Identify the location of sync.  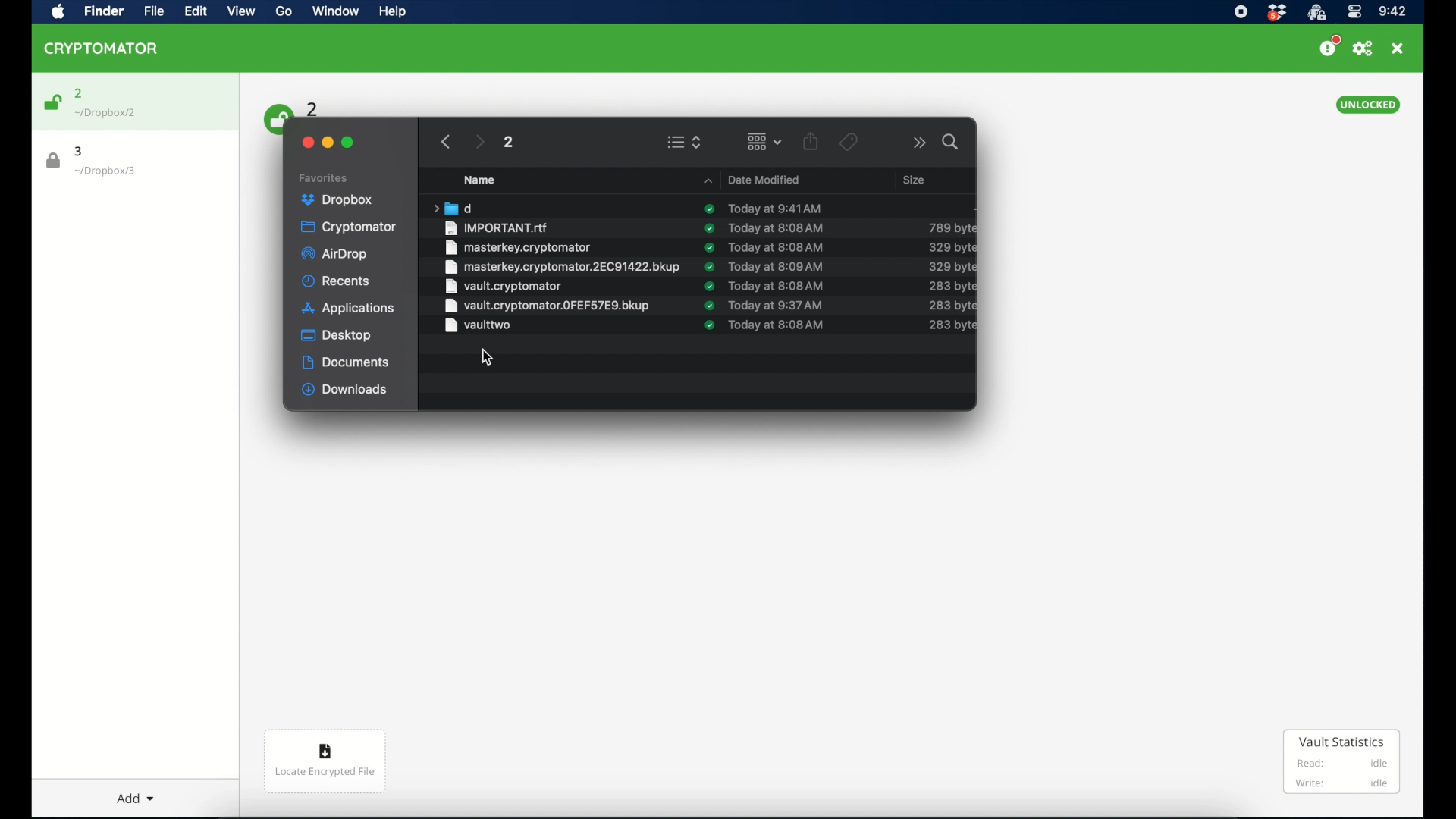
(708, 325).